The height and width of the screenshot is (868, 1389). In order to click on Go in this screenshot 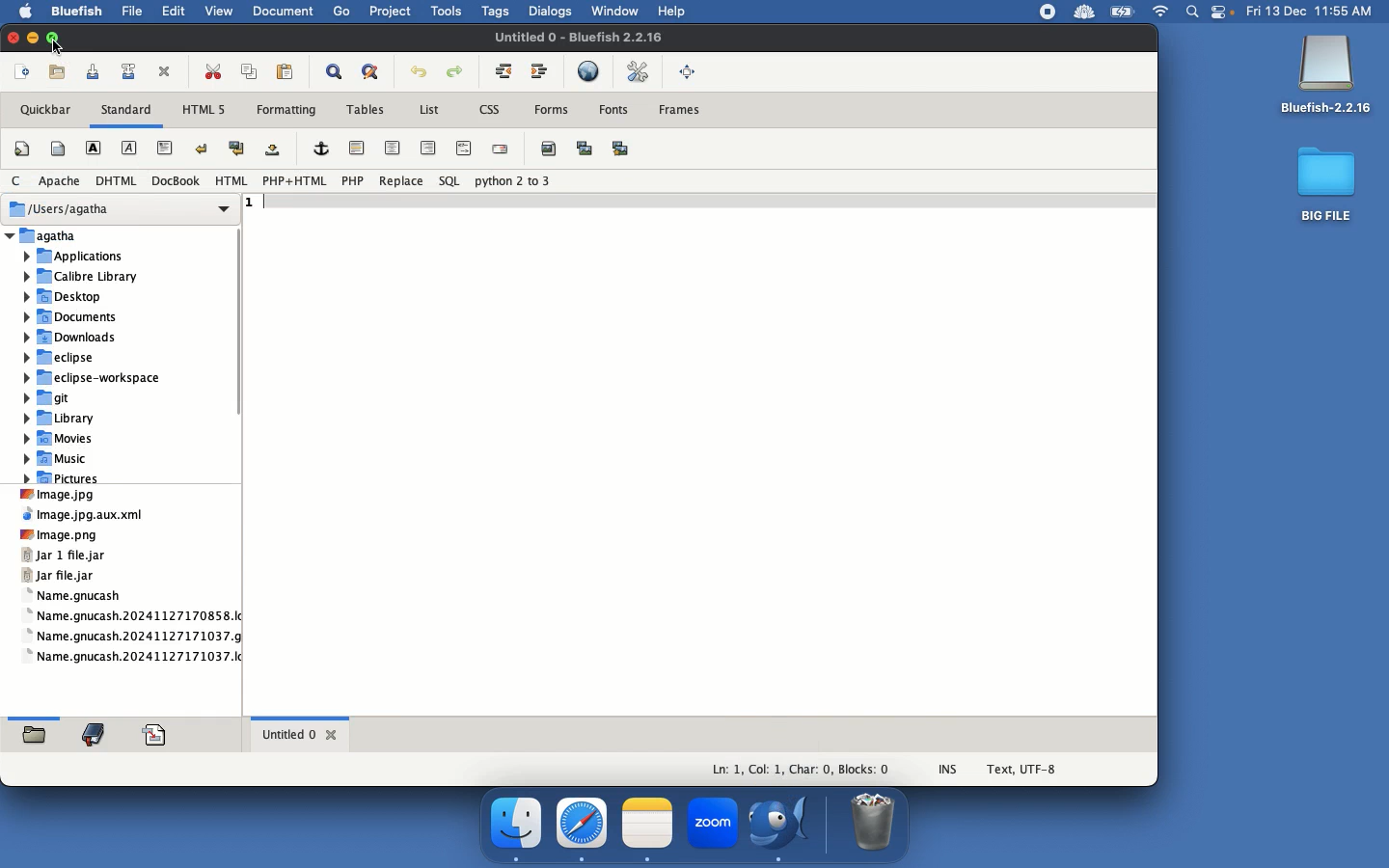, I will do `click(340, 13)`.